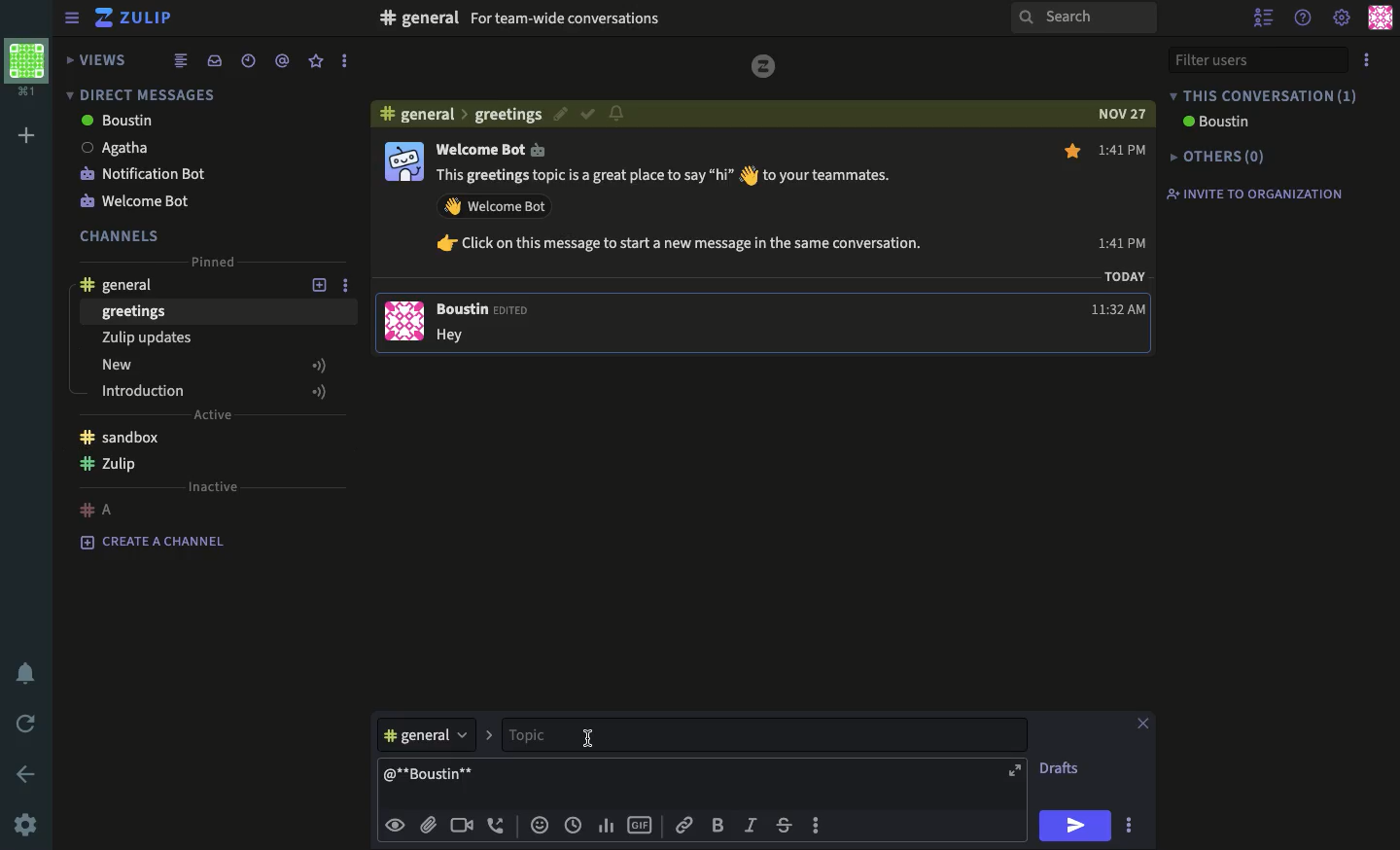 The image size is (1400, 850). I want to click on options, so click(1130, 826).